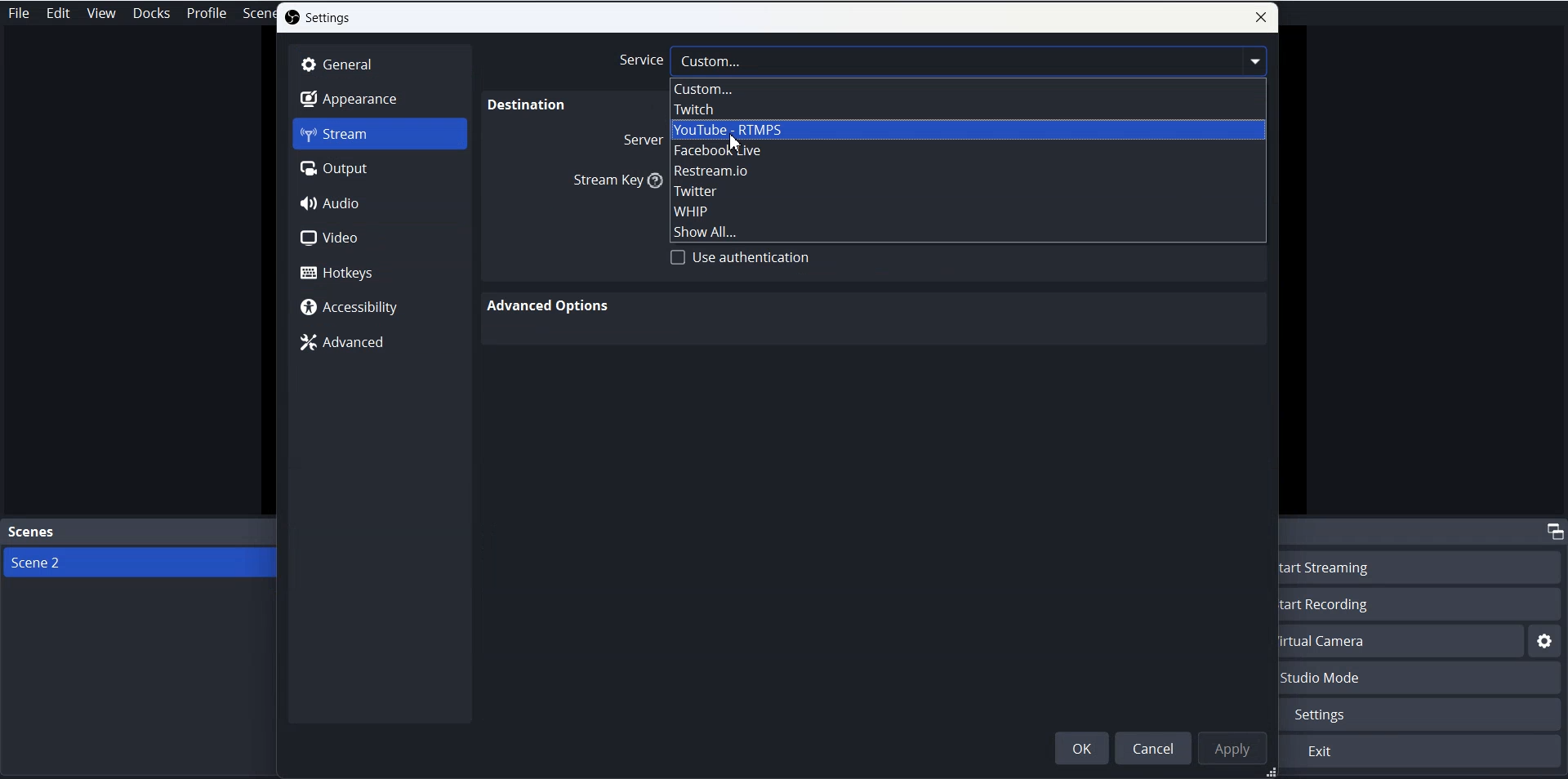 This screenshot has height=779, width=1568. I want to click on Twitch, so click(966, 110).